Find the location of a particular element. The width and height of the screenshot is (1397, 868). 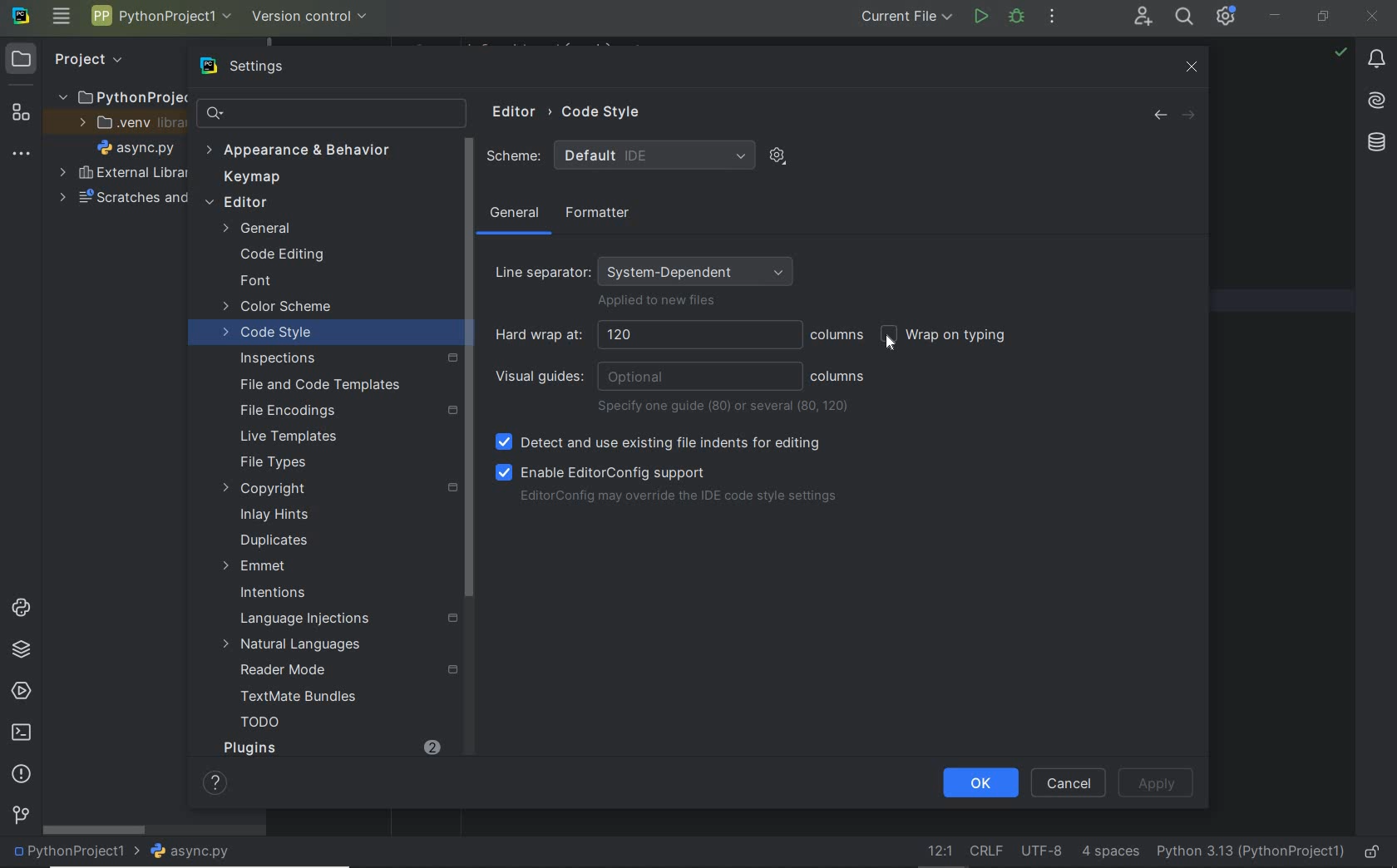

settings is located at coordinates (264, 67).